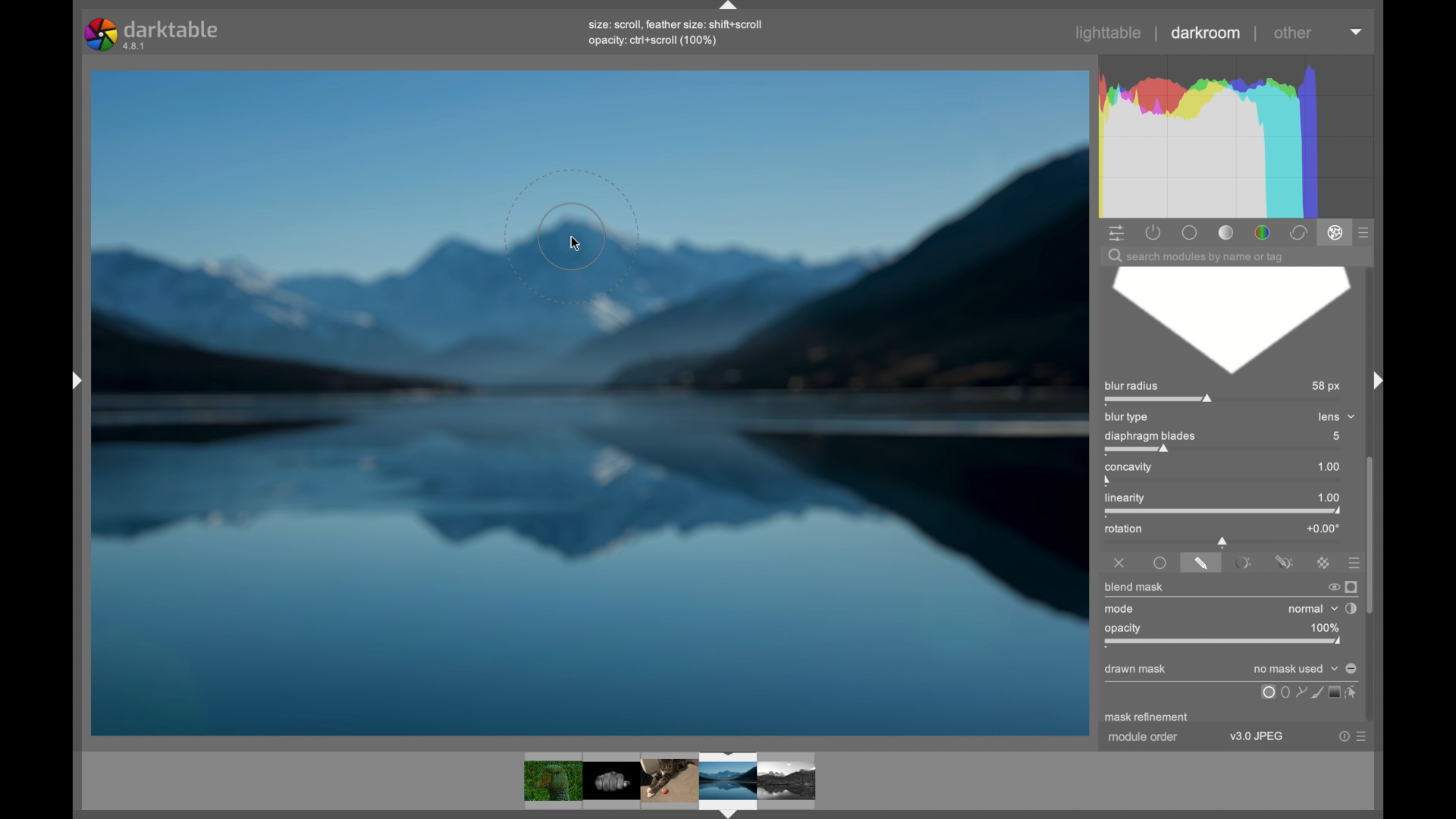  Describe the element at coordinates (1350, 561) in the screenshot. I see `presets` at that location.